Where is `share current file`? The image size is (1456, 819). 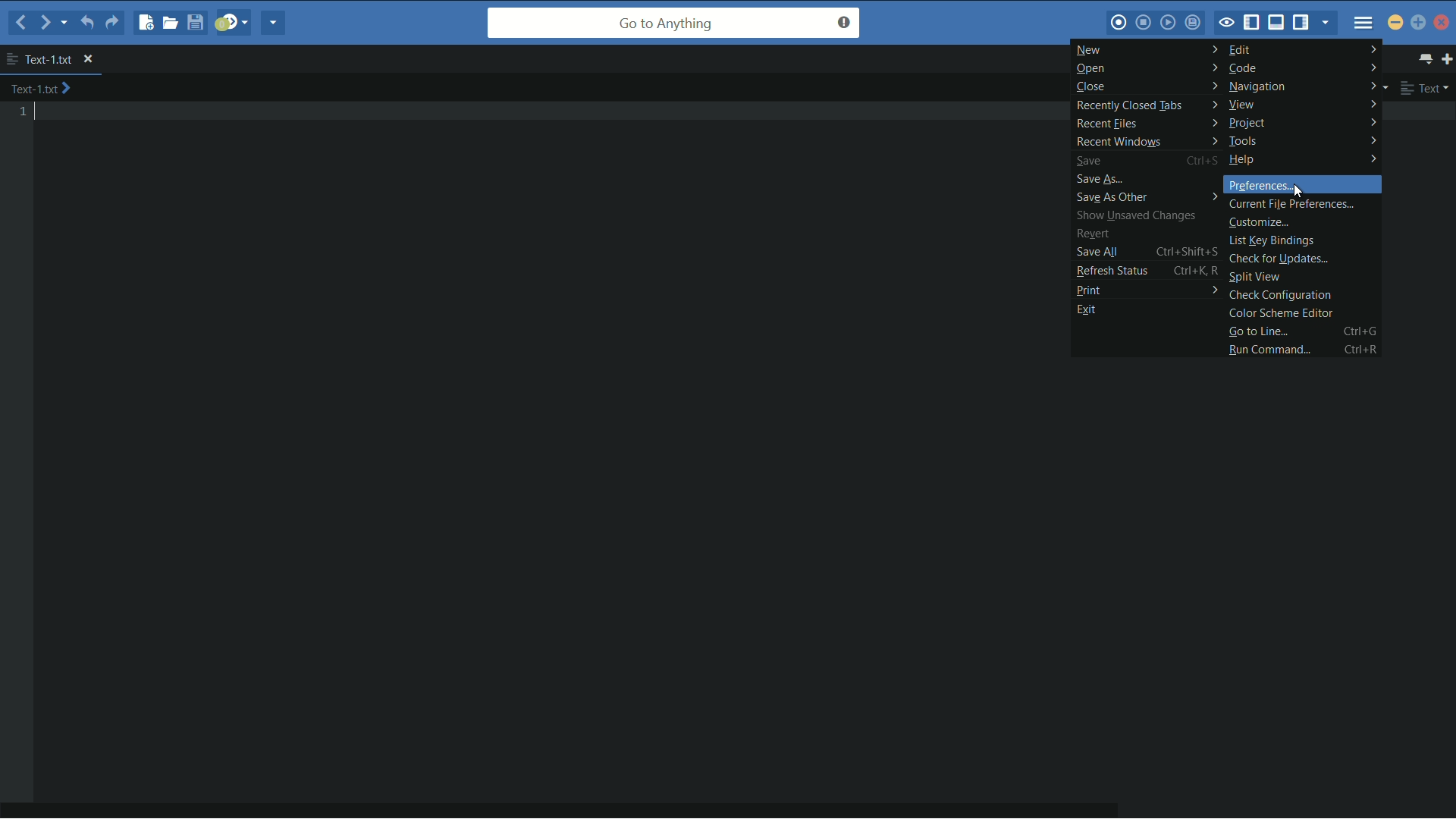
share current file is located at coordinates (275, 24).